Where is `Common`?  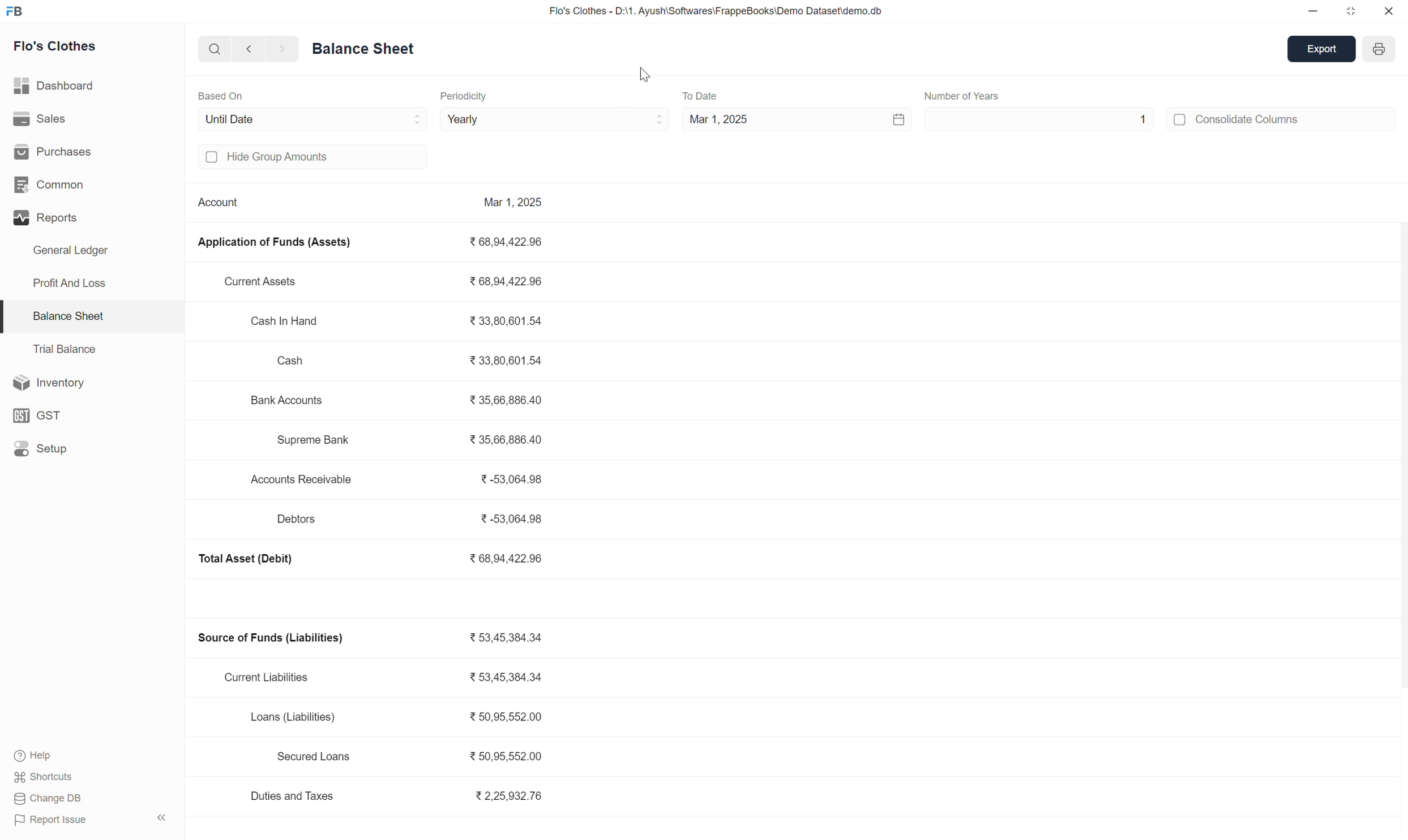 Common is located at coordinates (65, 186).